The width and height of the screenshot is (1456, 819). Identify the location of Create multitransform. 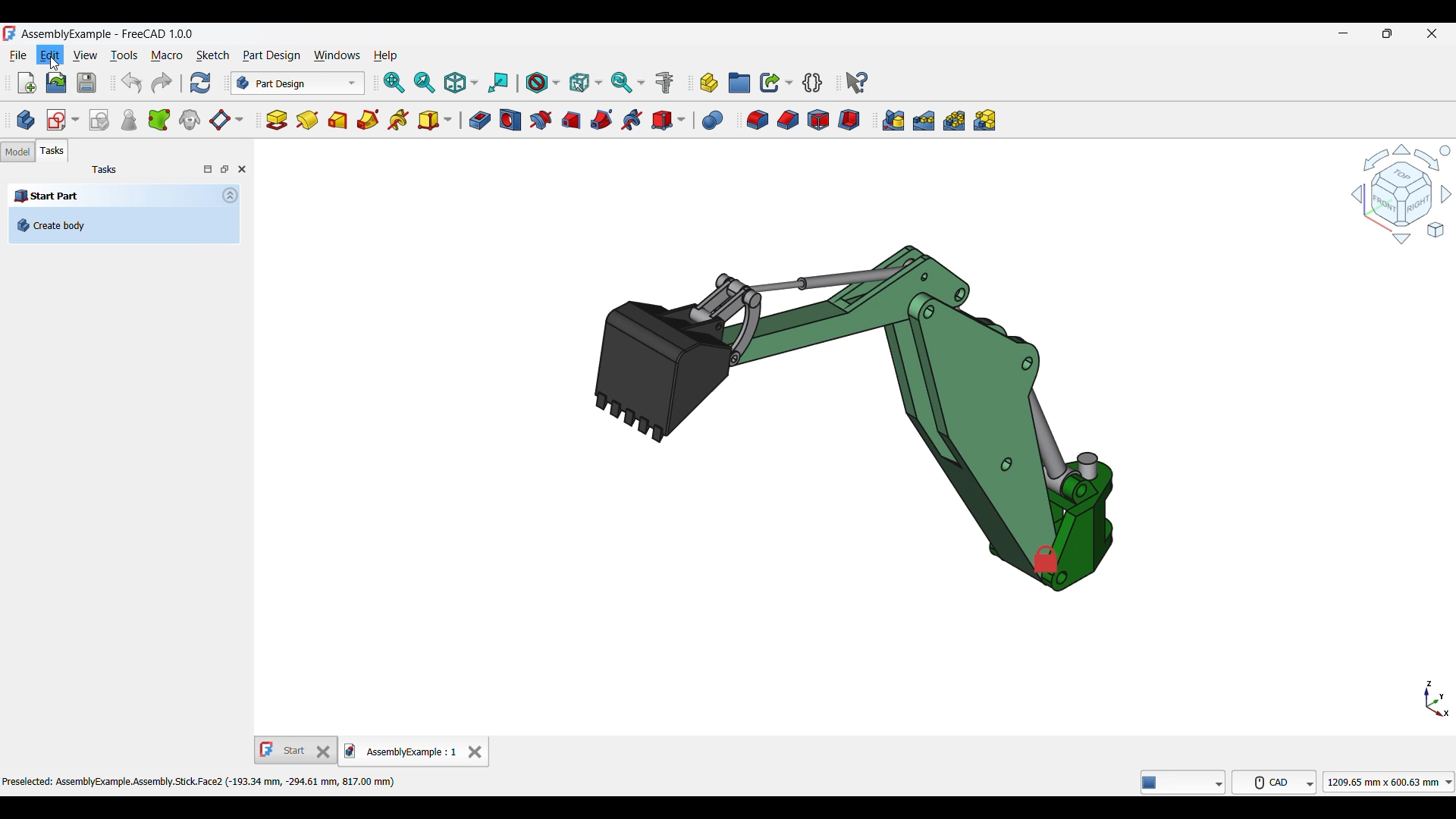
(984, 120).